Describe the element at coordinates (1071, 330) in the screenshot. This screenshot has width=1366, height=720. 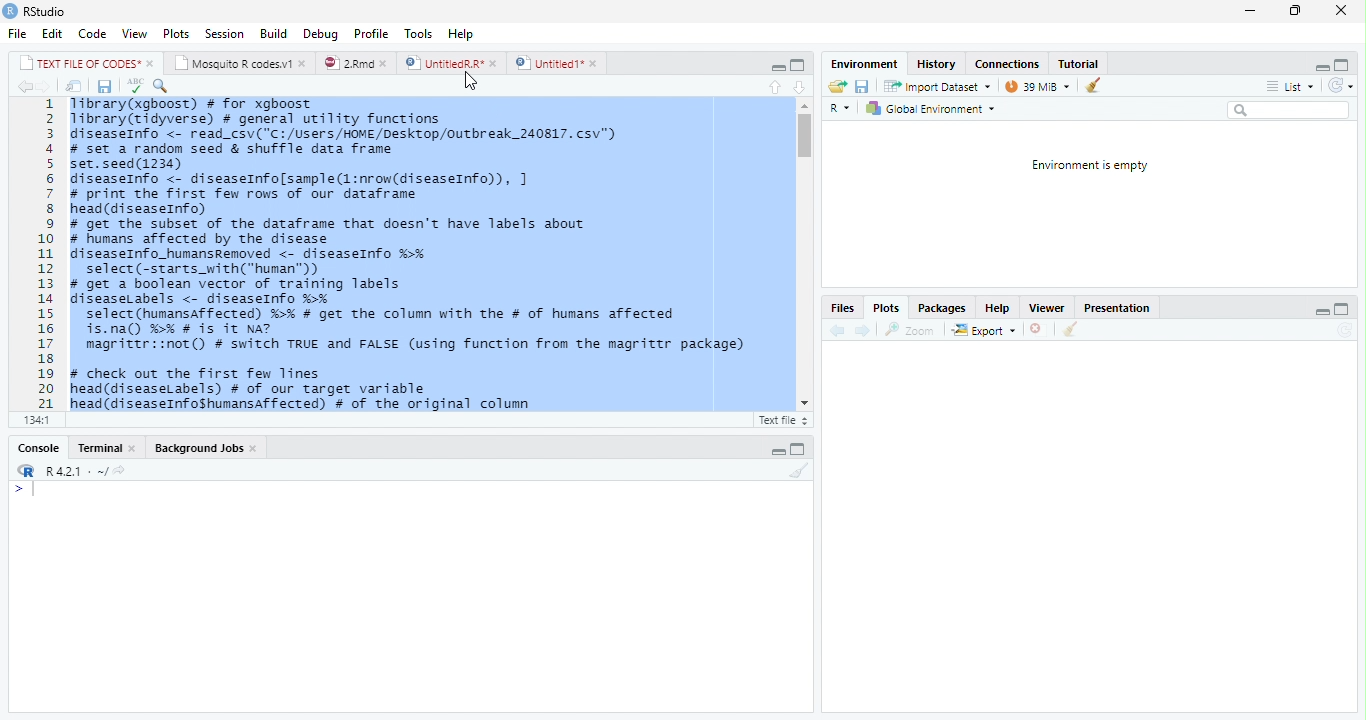
I see `Clean` at that location.